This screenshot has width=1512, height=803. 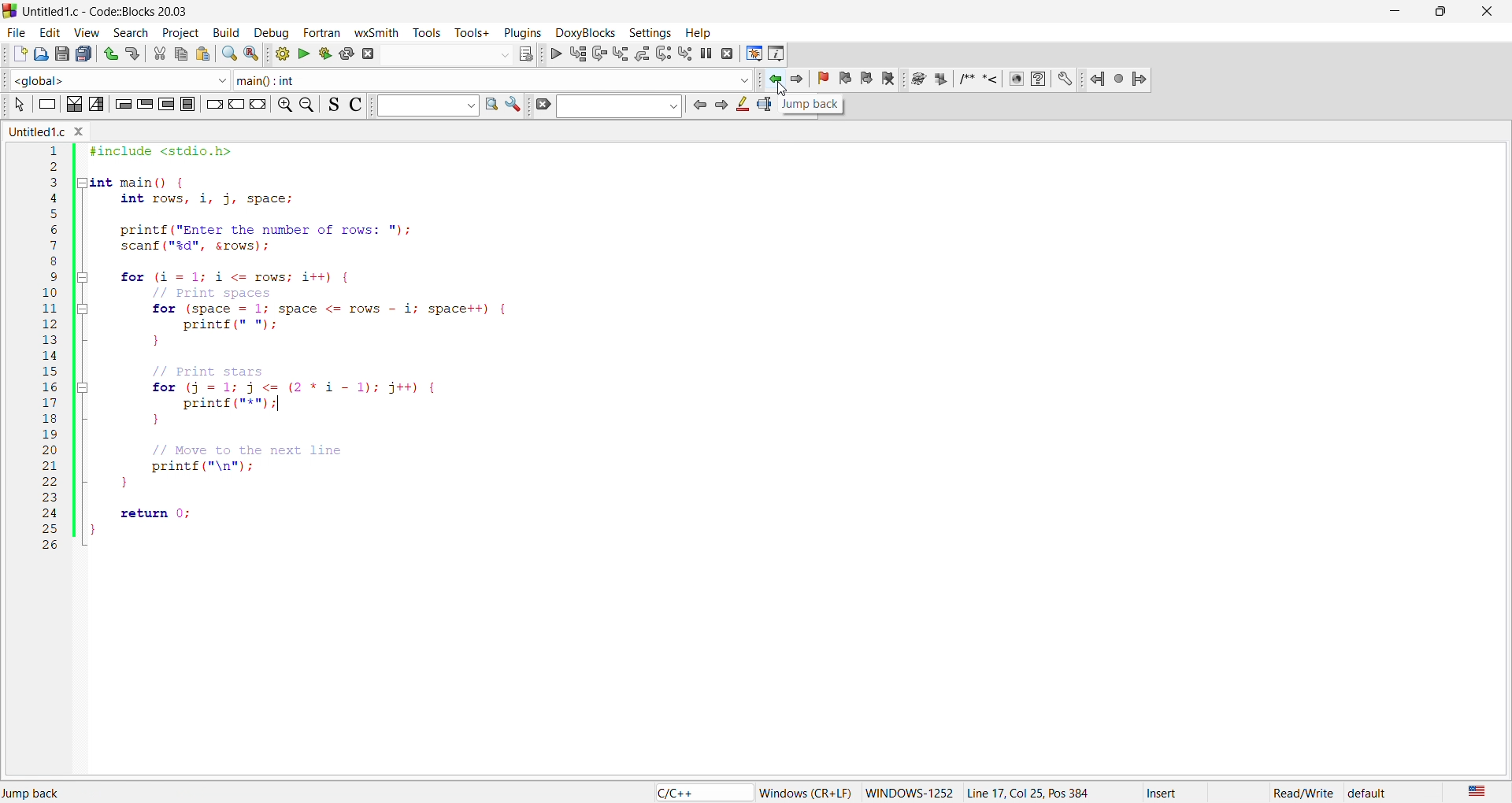 I want to click on line number, so click(x=54, y=350).